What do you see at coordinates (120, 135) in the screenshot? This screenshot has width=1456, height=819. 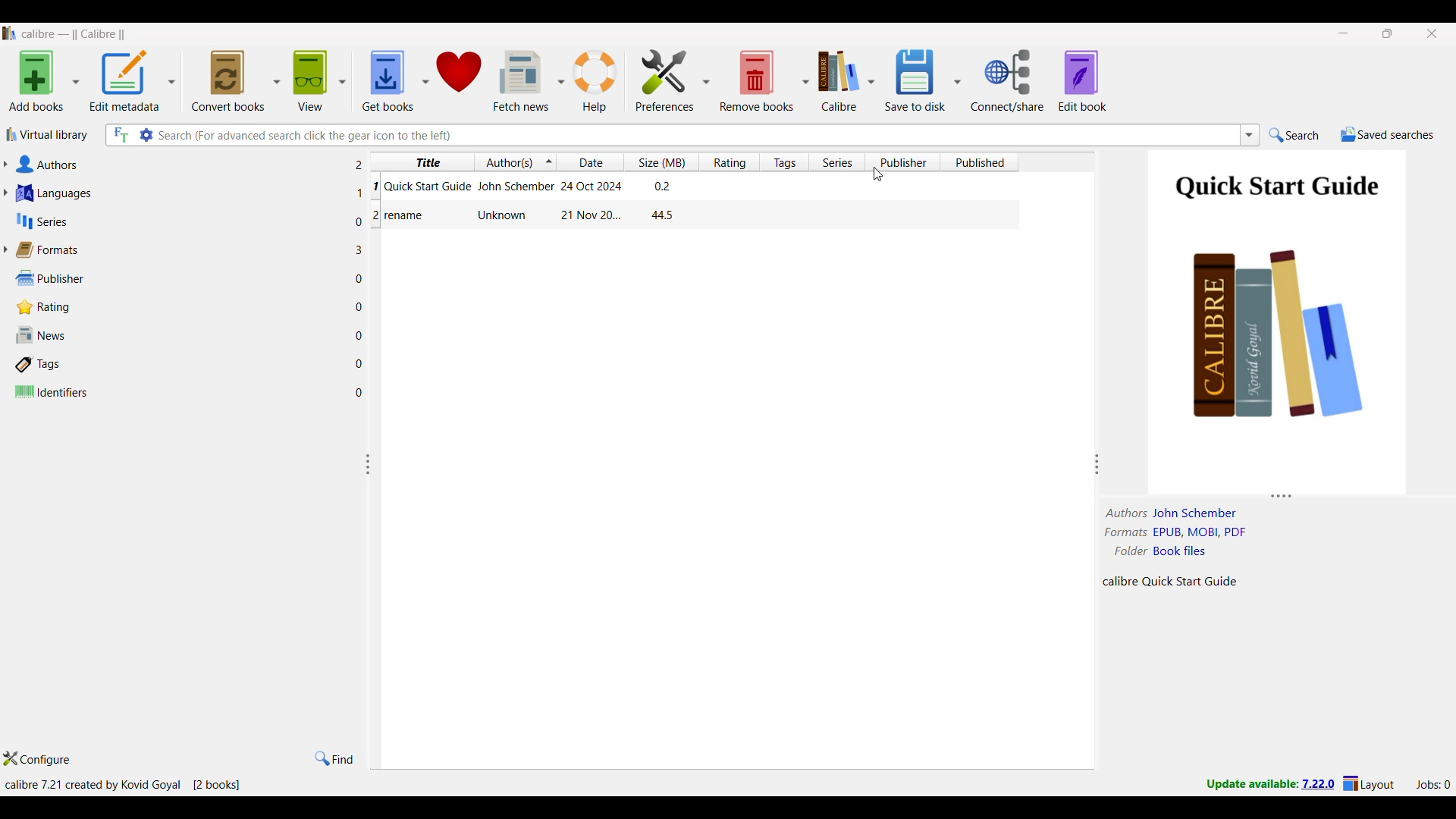 I see `Search the full text of all books` at bounding box center [120, 135].